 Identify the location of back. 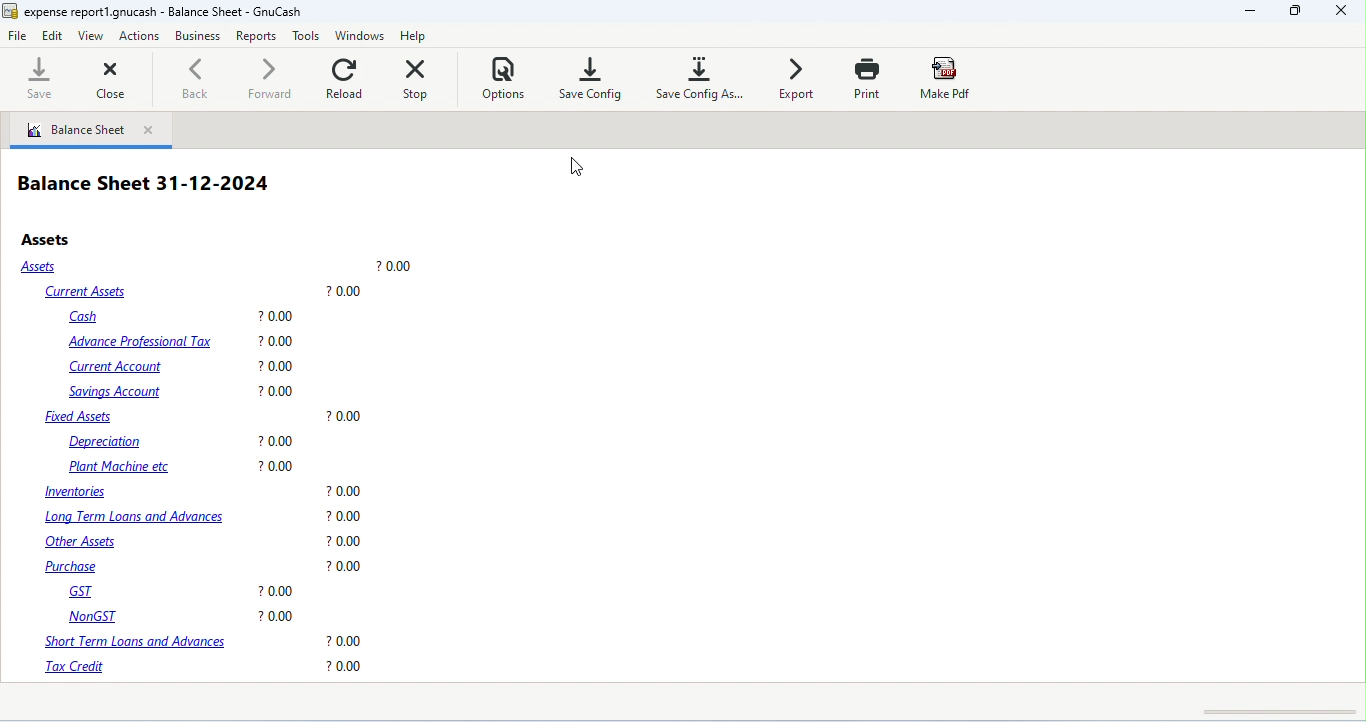
(201, 77).